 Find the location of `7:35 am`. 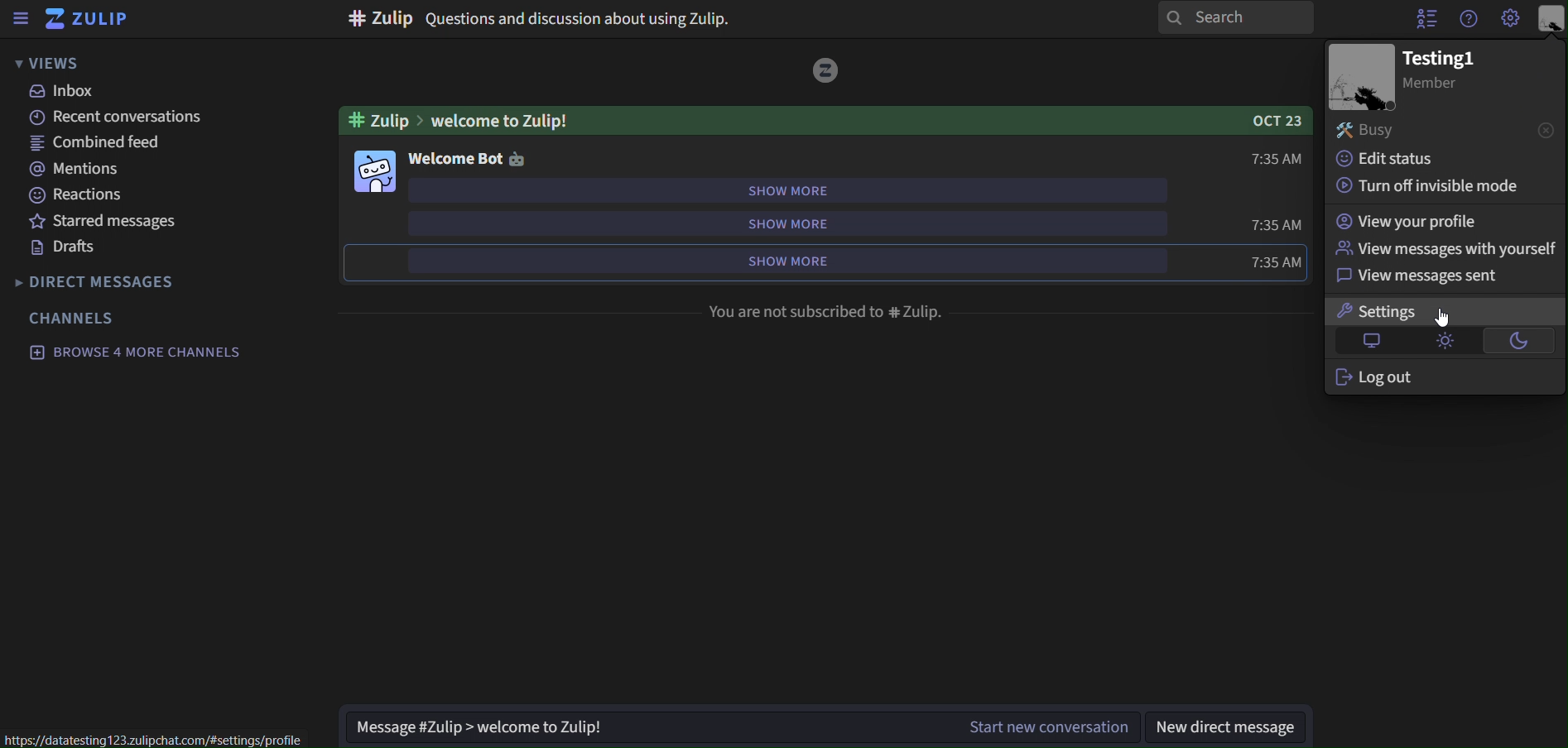

7:35 am is located at coordinates (1277, 161).